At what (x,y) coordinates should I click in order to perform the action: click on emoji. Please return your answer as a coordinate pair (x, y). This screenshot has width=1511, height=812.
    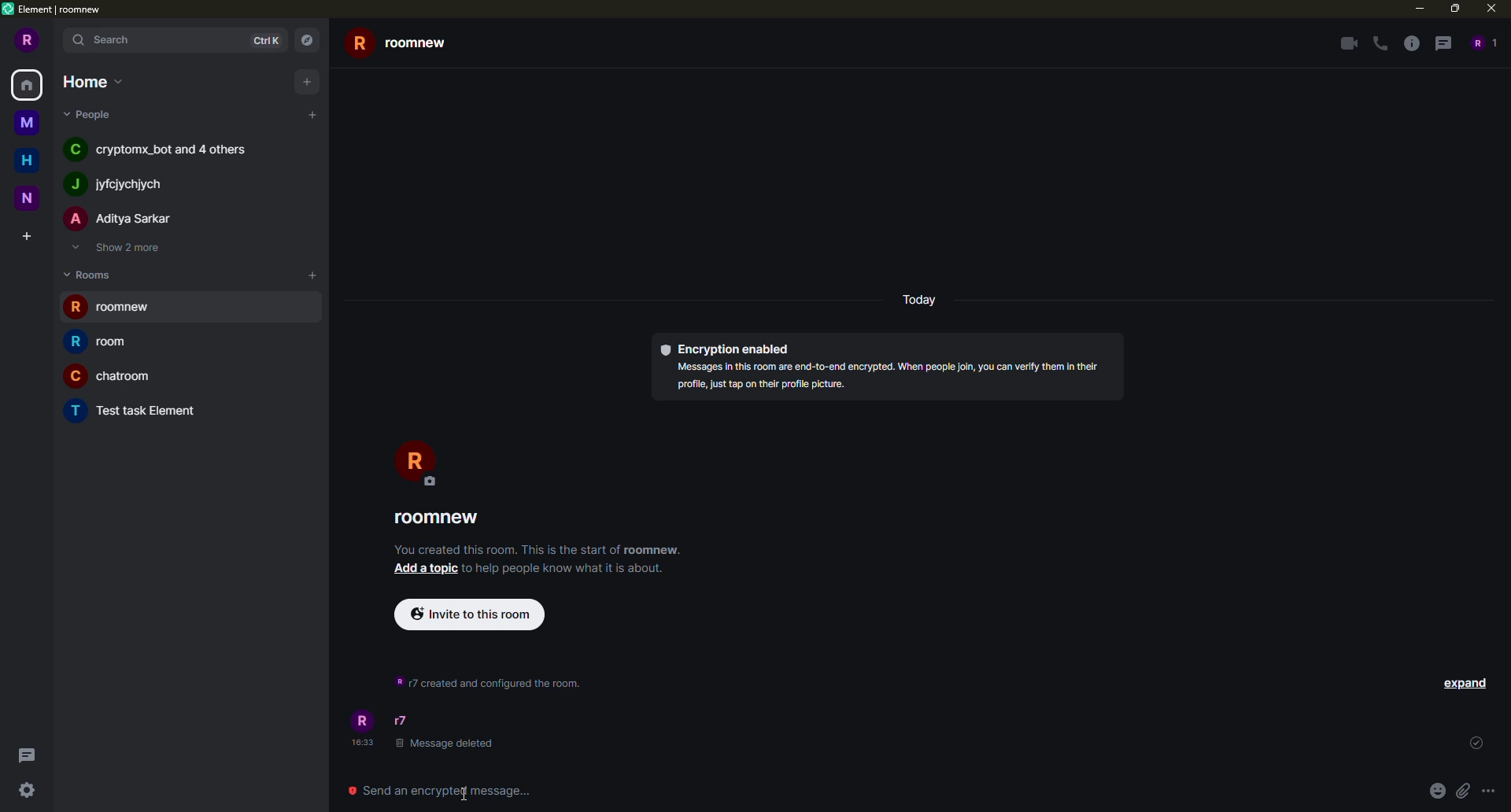
    Looking at the image, I should click on (1436, 790).